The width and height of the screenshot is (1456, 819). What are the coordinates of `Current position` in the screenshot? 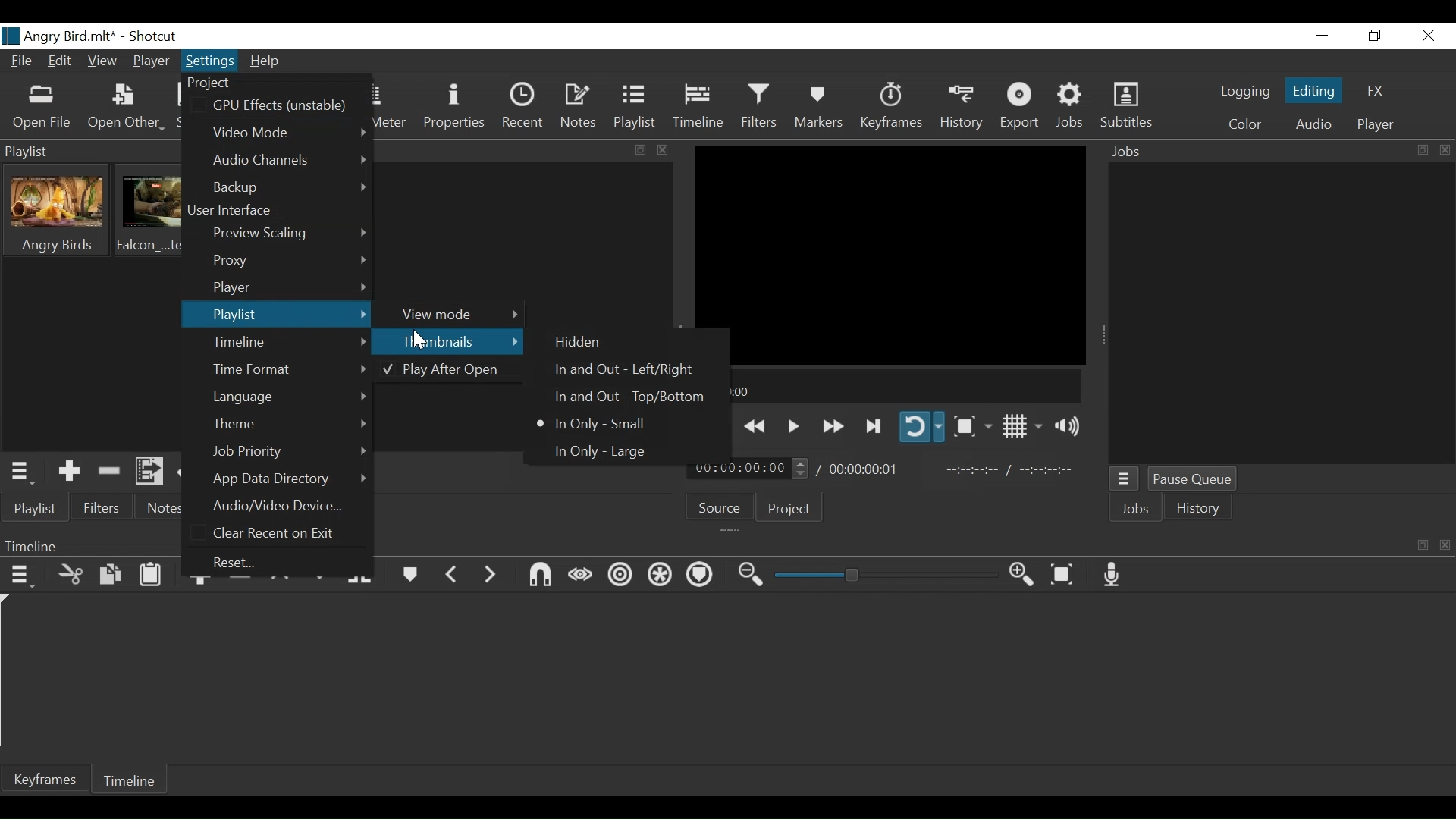 It's located at (748, 469).